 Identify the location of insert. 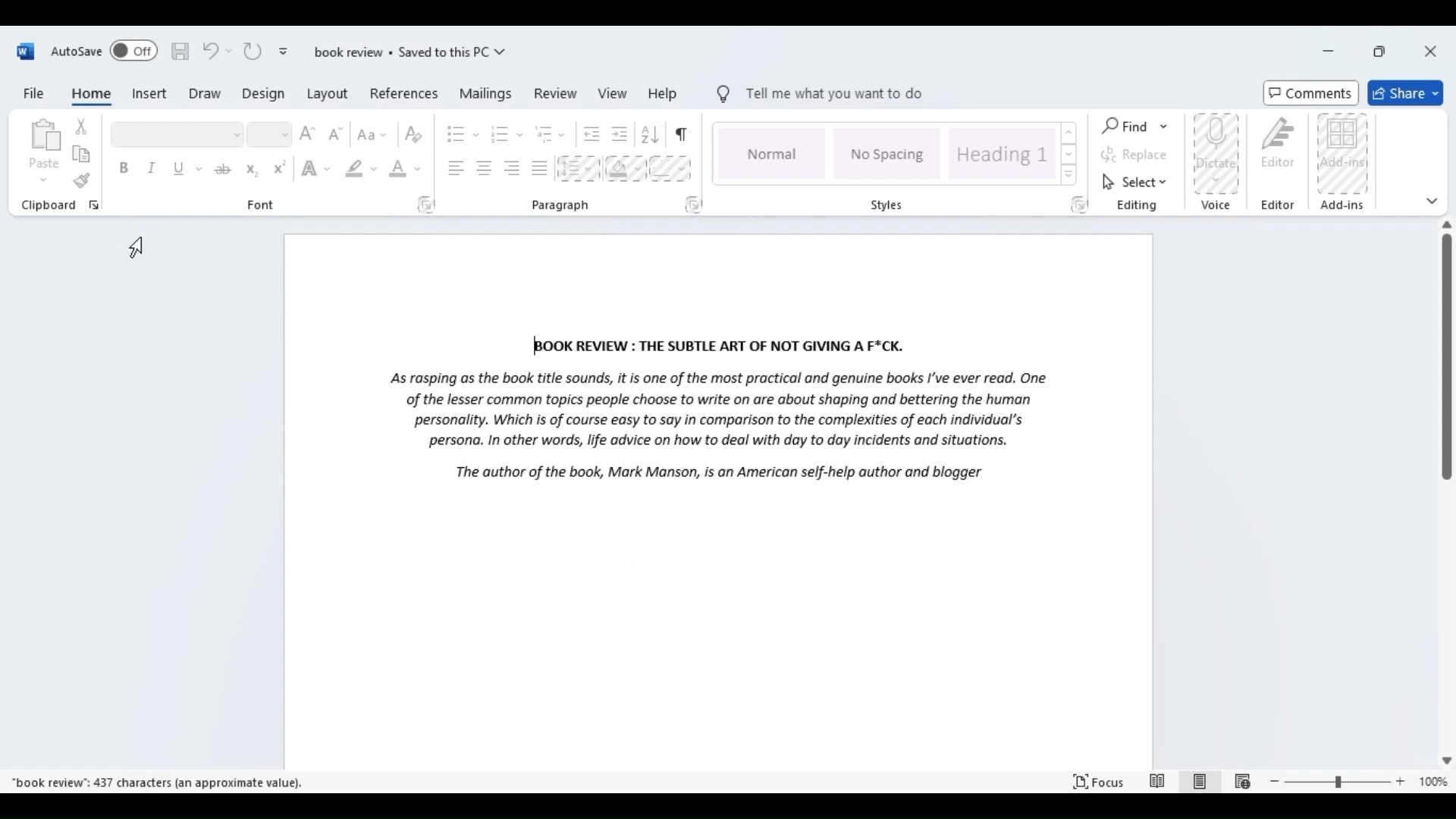
(150, 93).